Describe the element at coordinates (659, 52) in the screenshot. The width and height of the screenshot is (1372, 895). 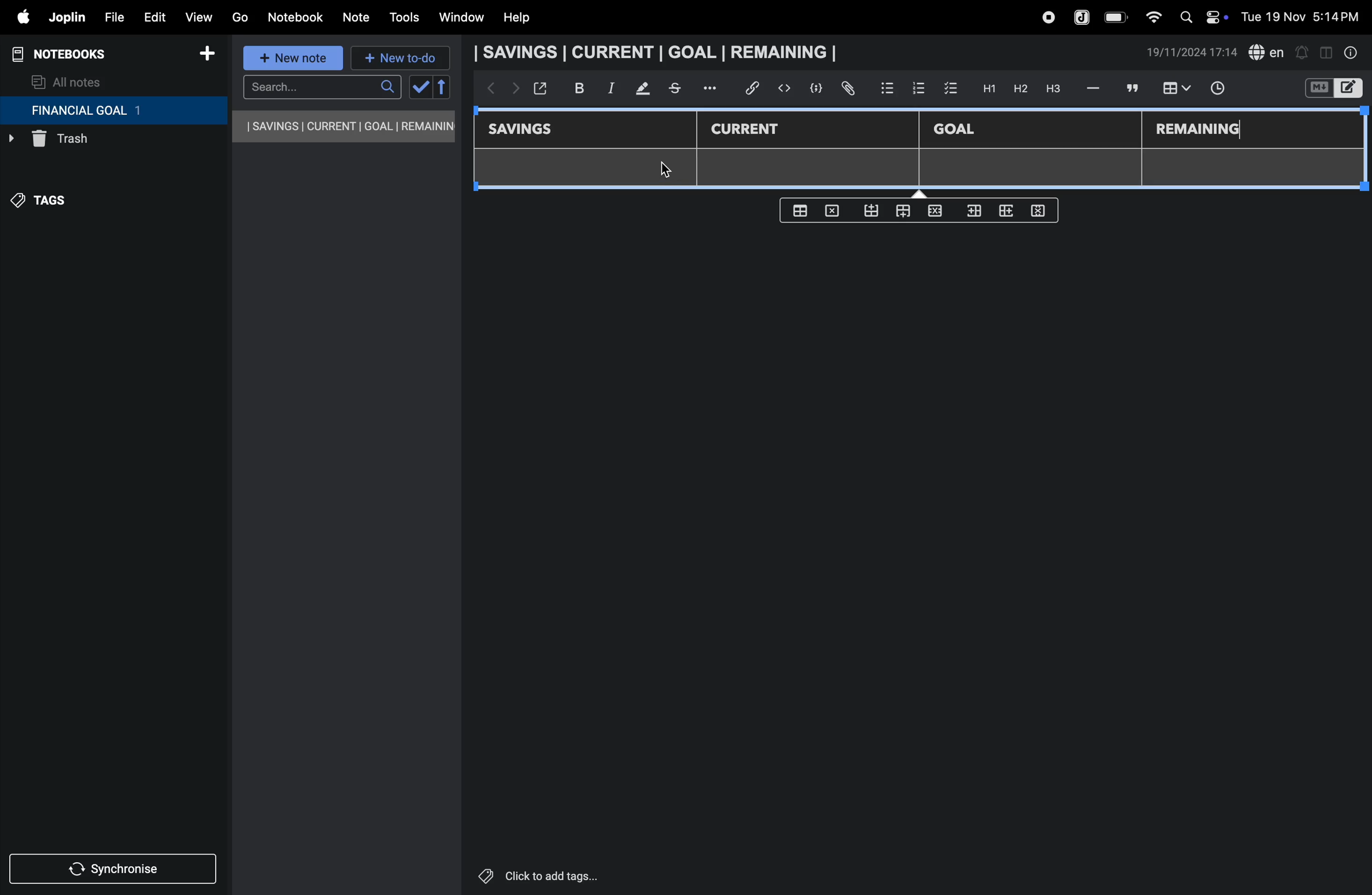
I see `savings current goal remaining` at that location.